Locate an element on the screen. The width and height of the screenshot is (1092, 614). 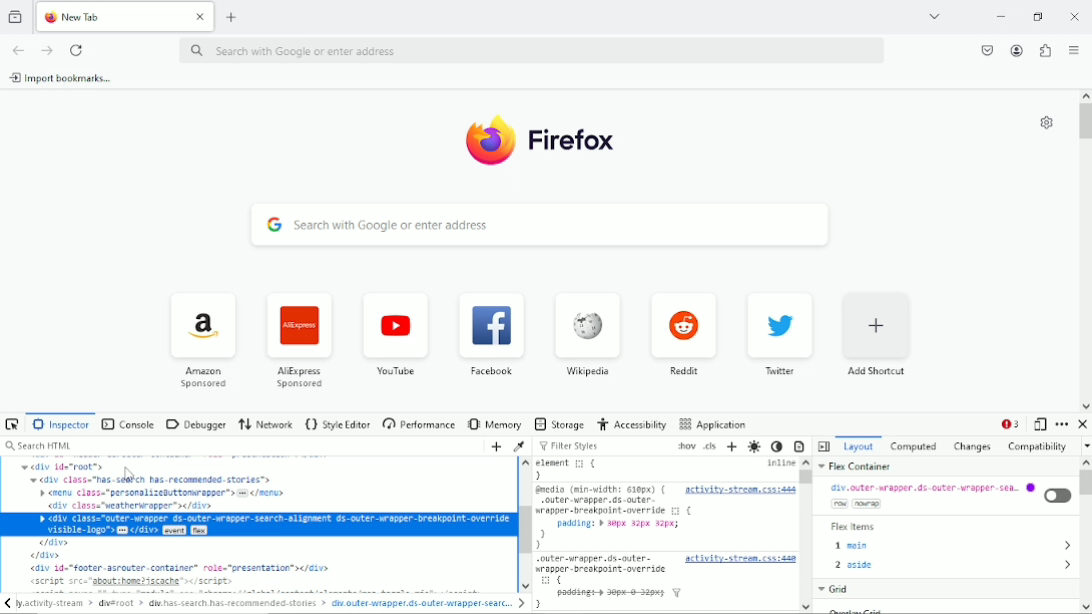
Vertical scrollbar is located at coordinates (805, 477).